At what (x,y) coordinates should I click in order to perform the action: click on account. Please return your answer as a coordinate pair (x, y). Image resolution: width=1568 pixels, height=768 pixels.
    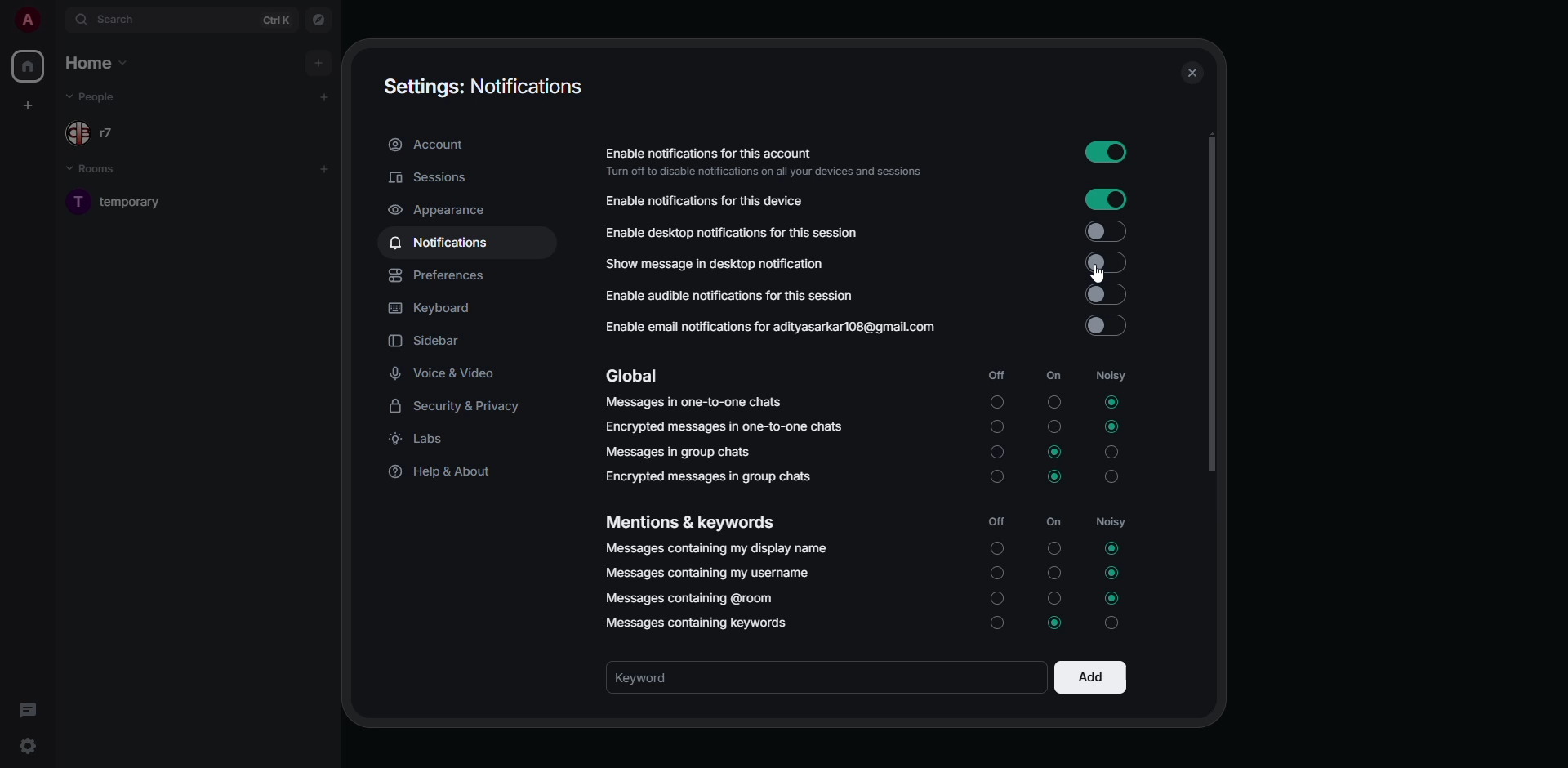
    Looking at the image, I should click on (429, 144).